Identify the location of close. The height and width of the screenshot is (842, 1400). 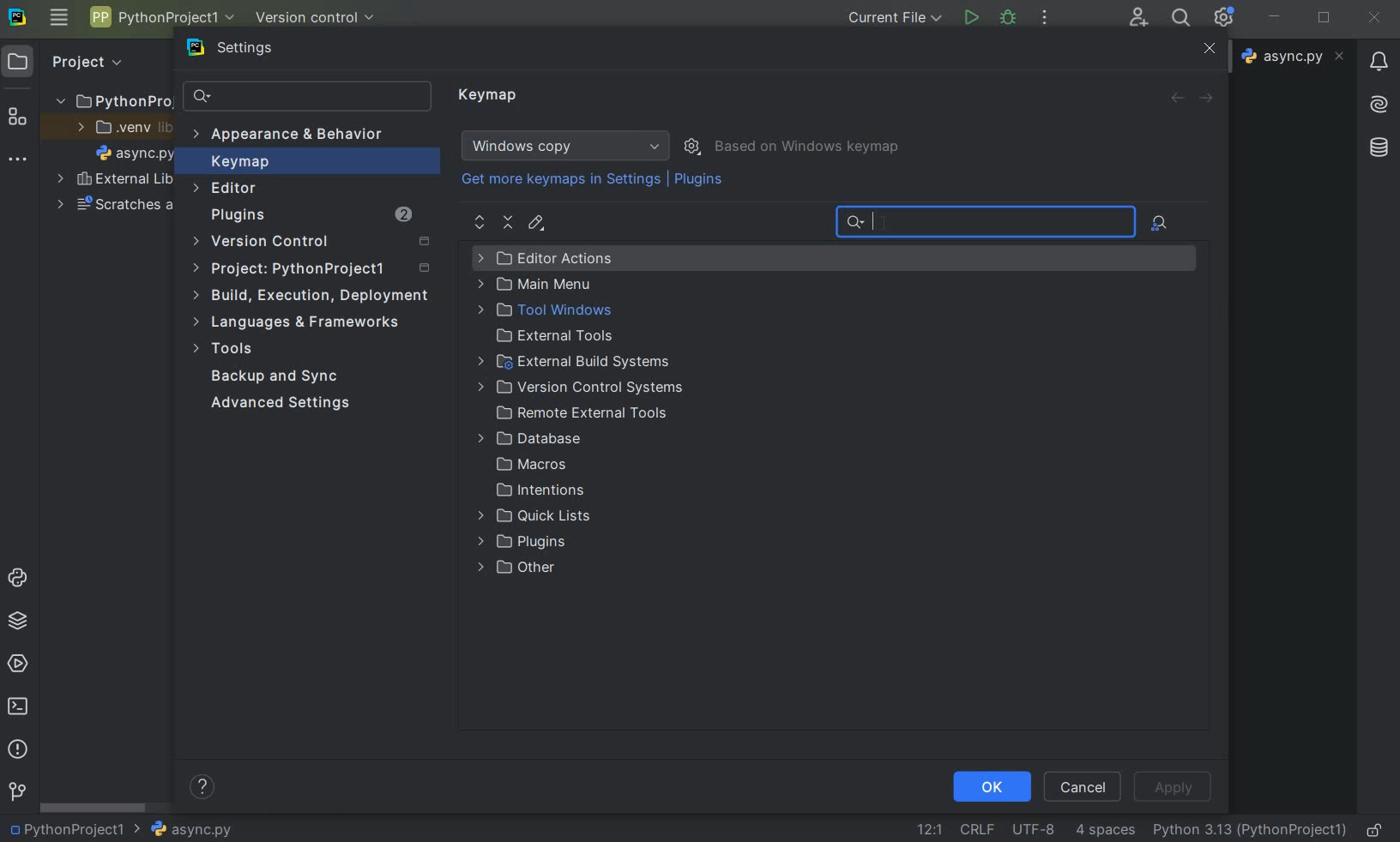
(1207, 50).